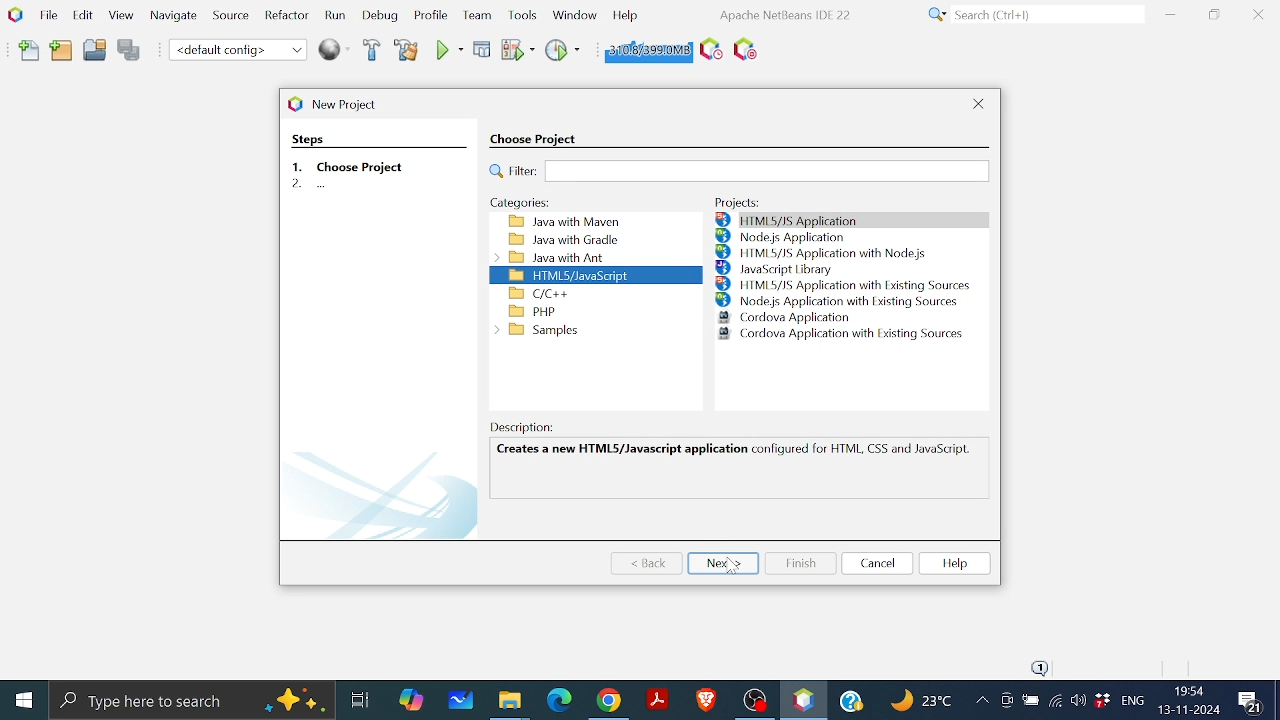 The width and height of the screenshot is (1280, 720). Describe the element at coordinates (754, 699) in the screenshot. I see `OBS studio` at that location.